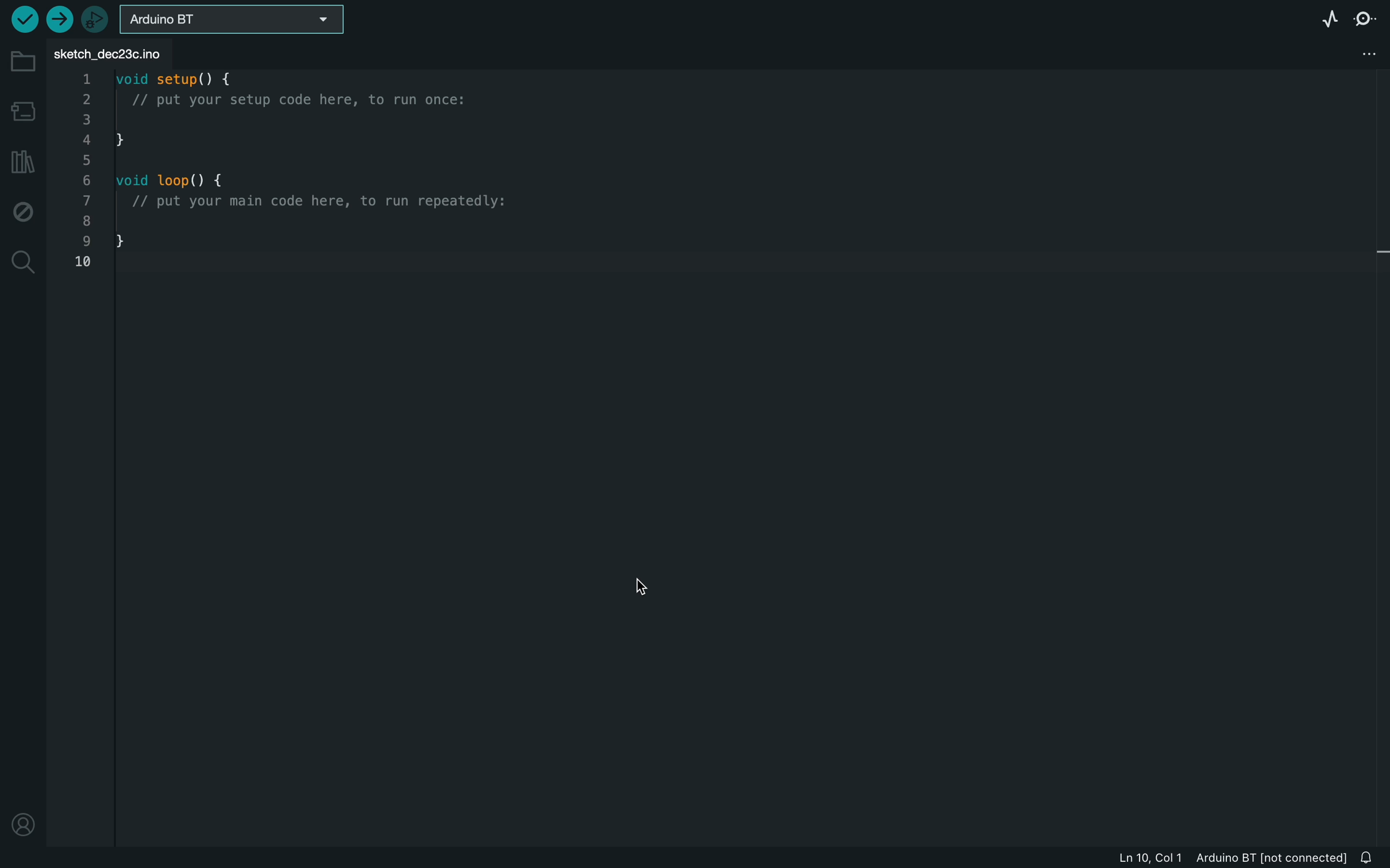 This screenshot has width=1390, height=868. Describe the element at coordinates (116, 52) in the screenshot. I see `file tab` at that location.